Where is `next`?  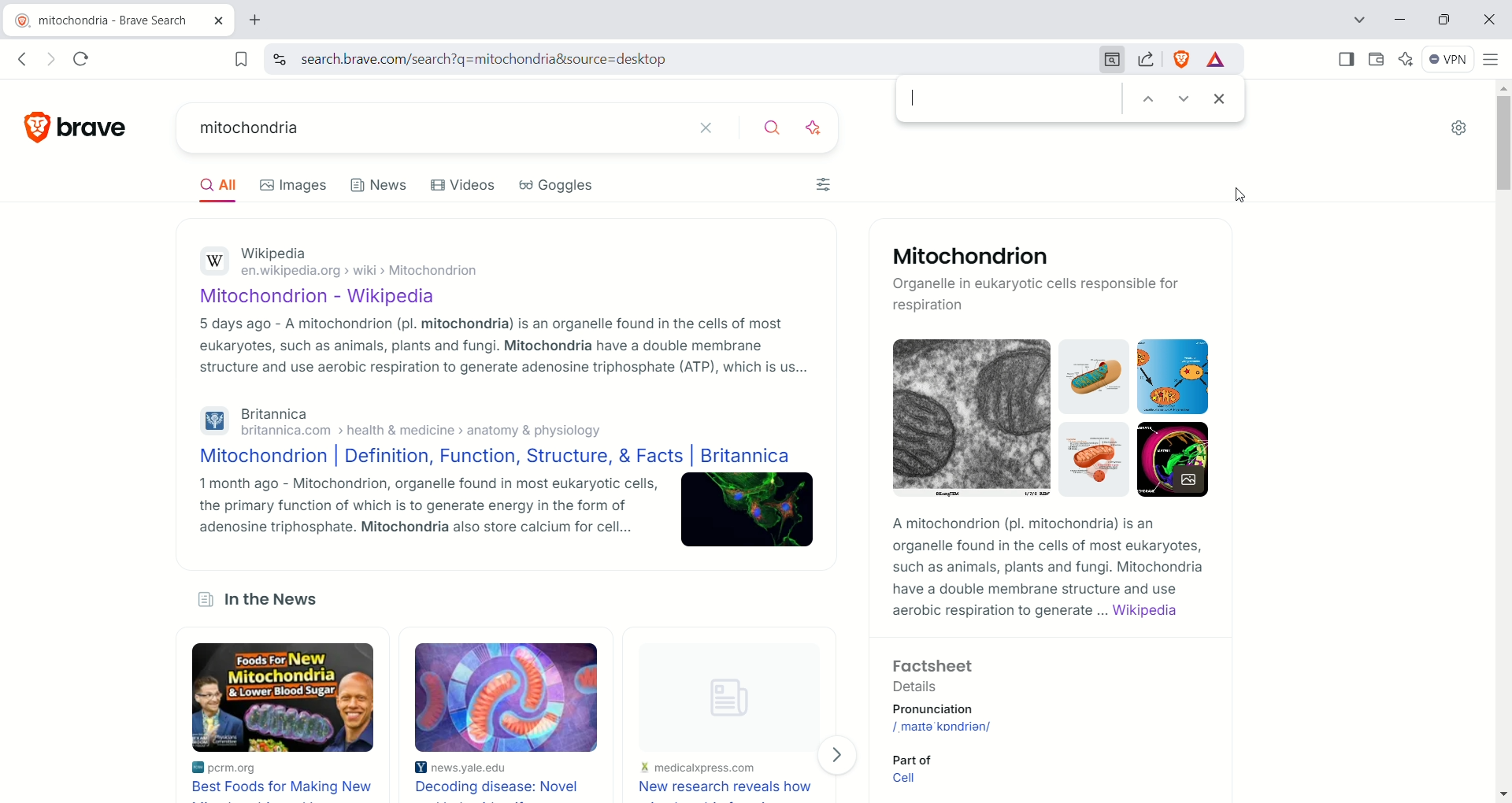
next is located at coordinates (1188, 100).